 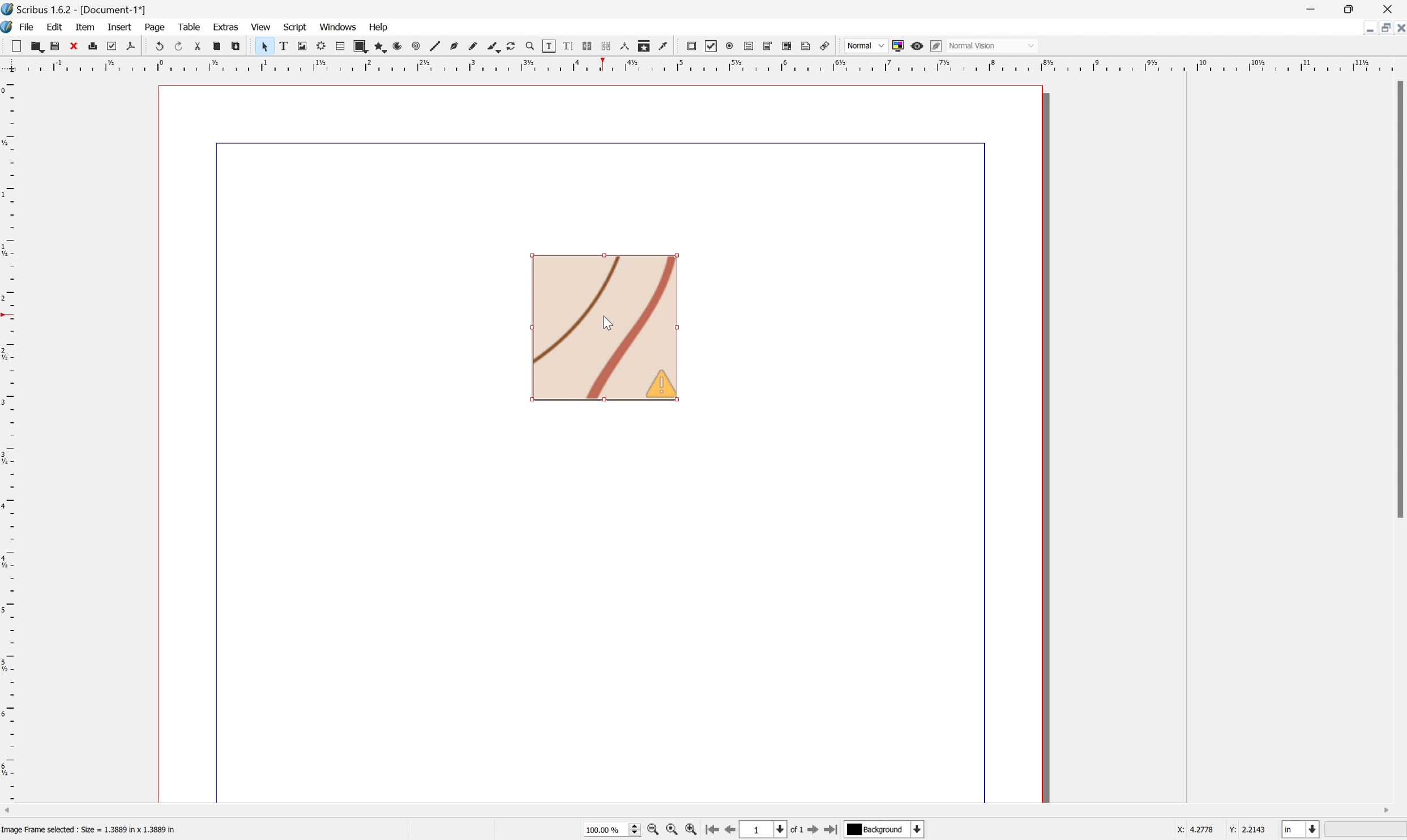 I want to click on Script, so click(x=296, y=28).